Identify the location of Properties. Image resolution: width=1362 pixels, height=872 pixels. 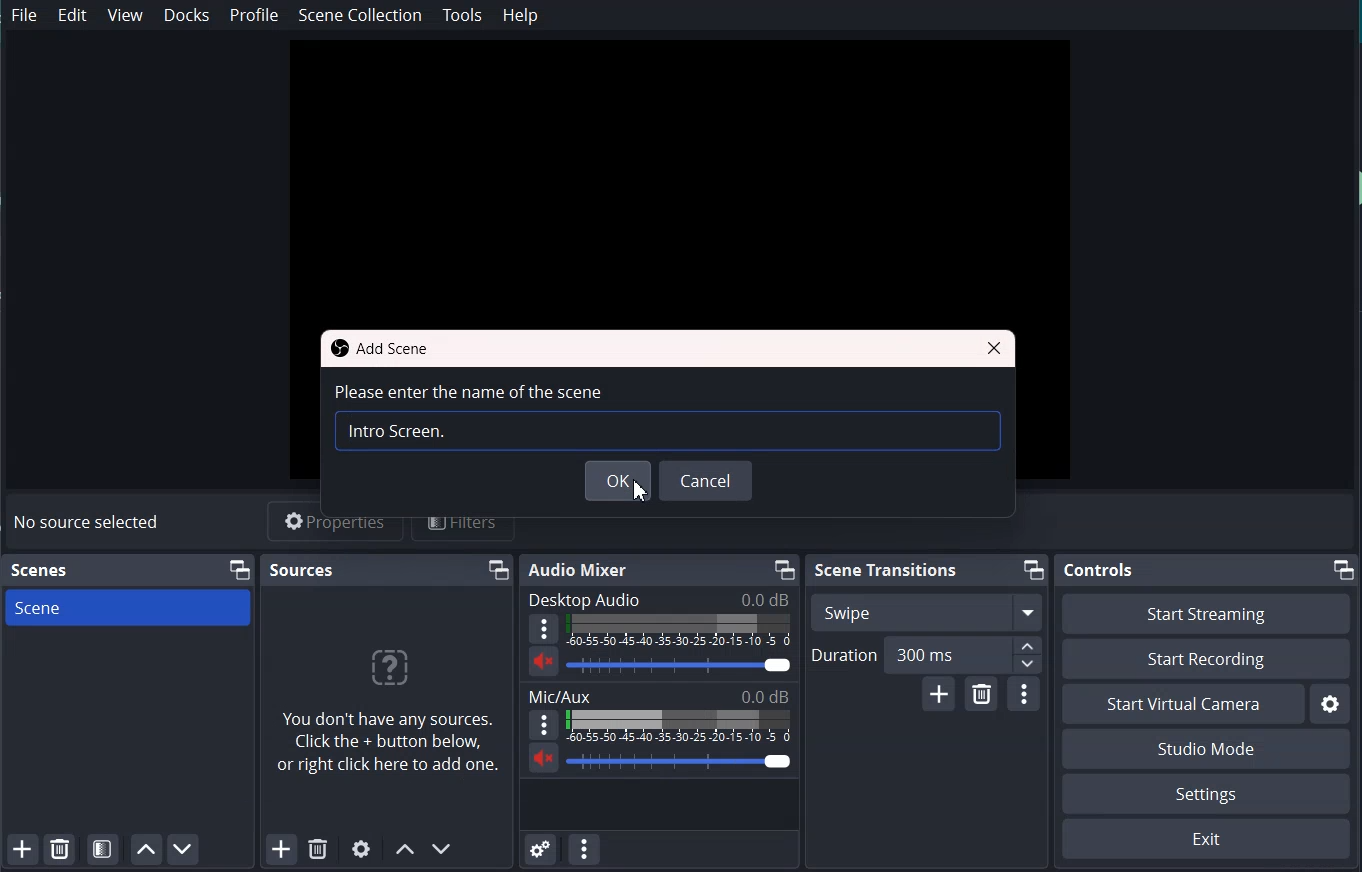
(337, 527).